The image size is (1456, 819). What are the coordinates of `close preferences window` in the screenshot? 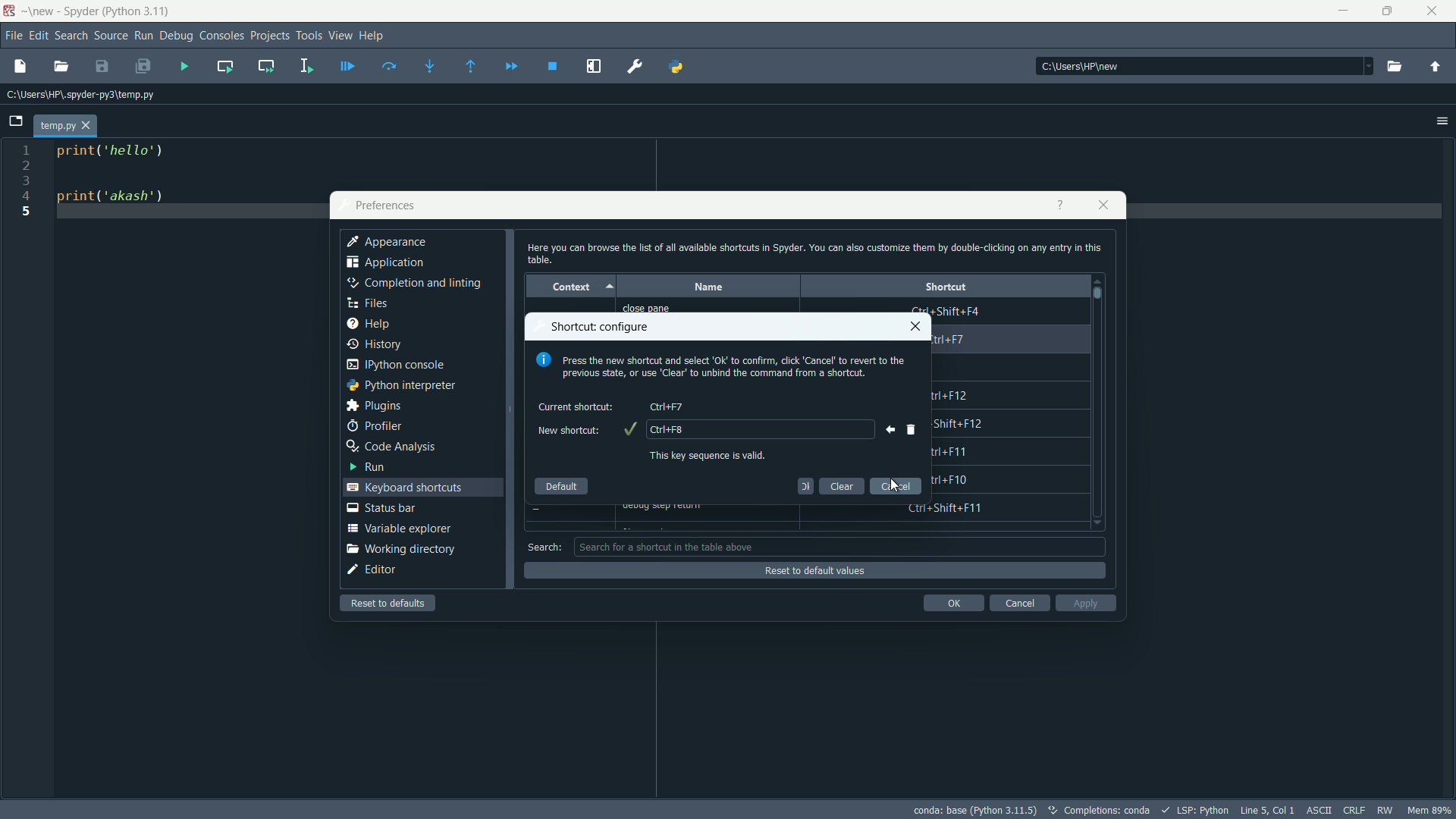 It's located at (1104, 205).